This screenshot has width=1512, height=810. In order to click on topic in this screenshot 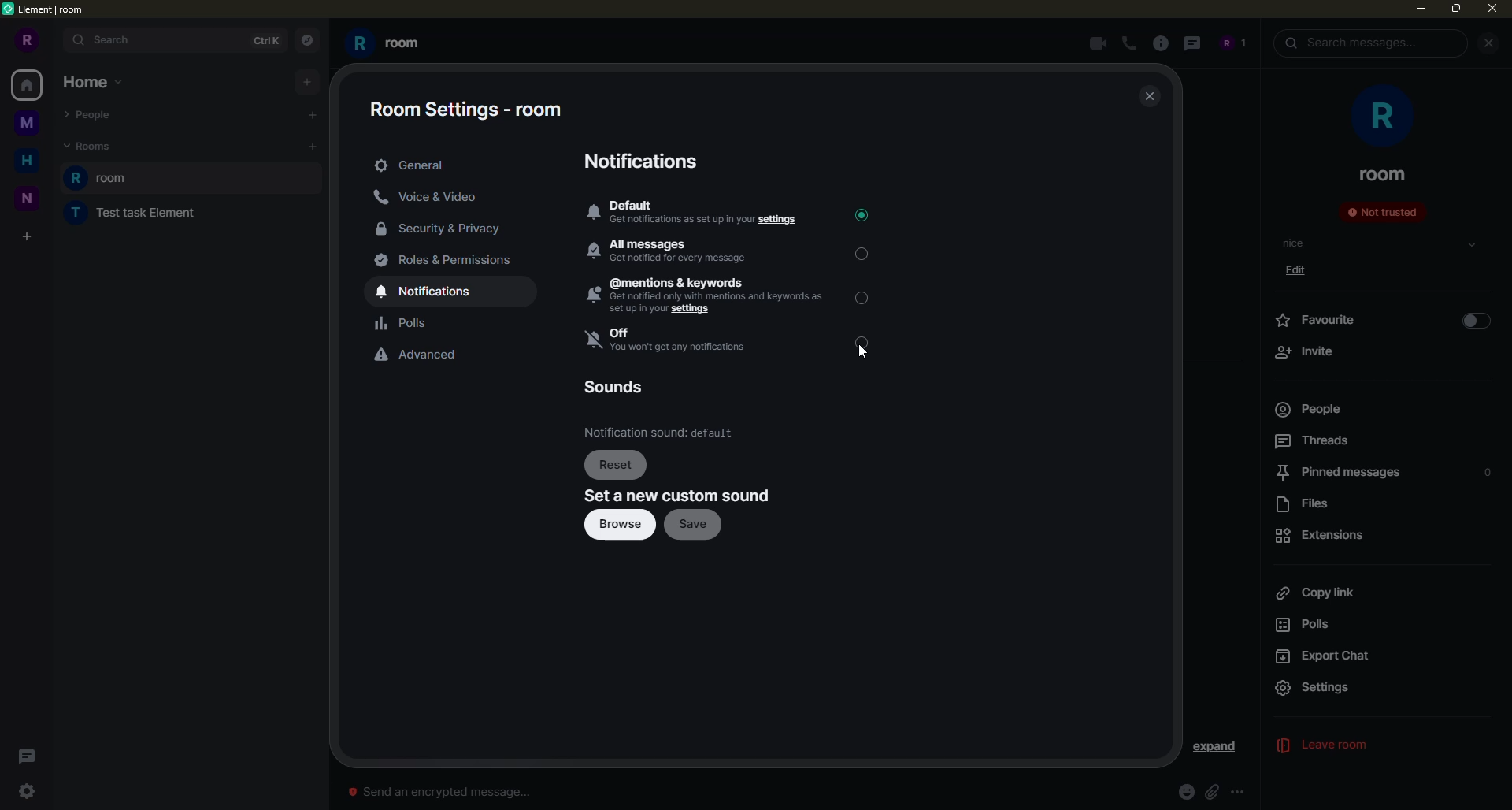, I will do `click(1295, 243)`.